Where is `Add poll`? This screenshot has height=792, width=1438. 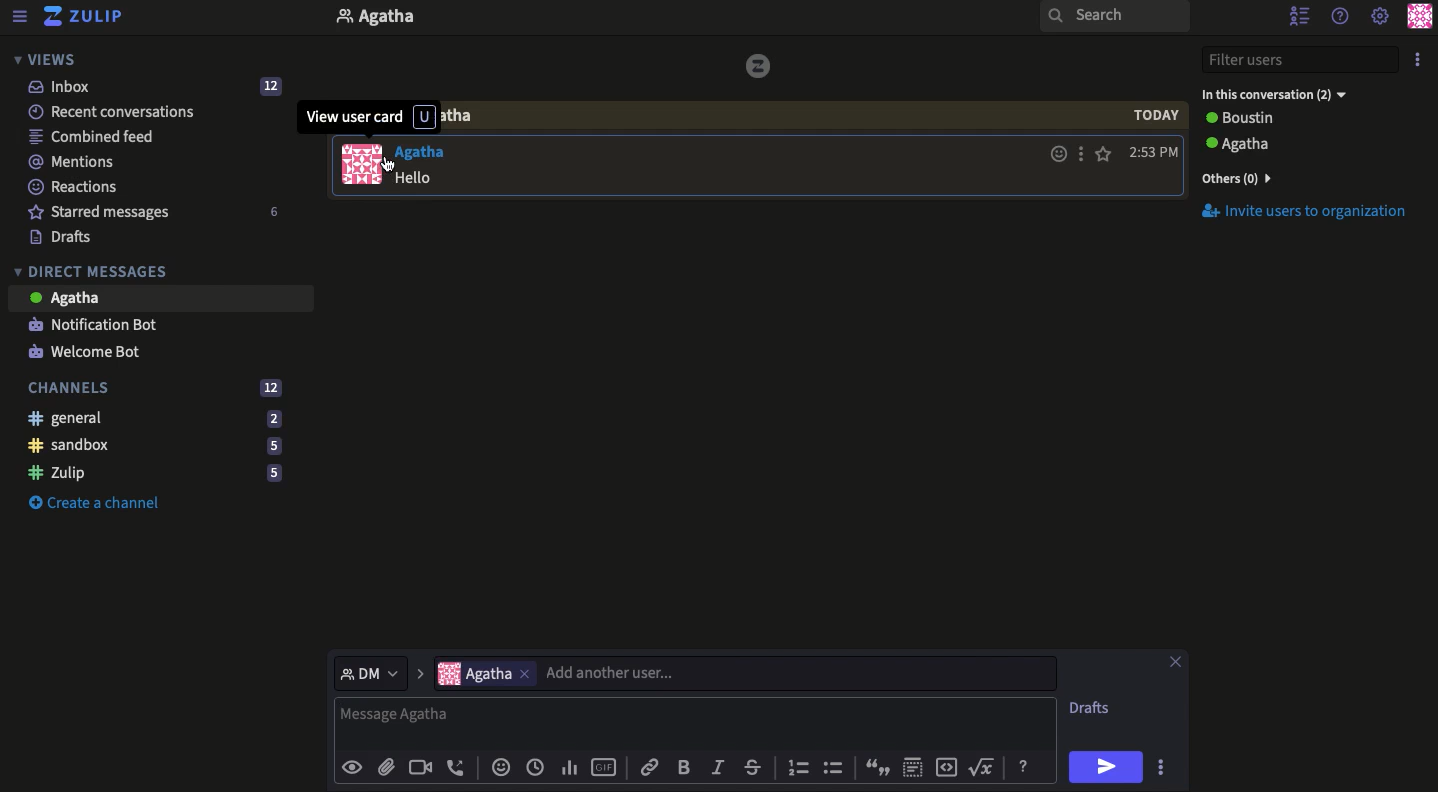 Add poll is located at coordinates (574, 765).